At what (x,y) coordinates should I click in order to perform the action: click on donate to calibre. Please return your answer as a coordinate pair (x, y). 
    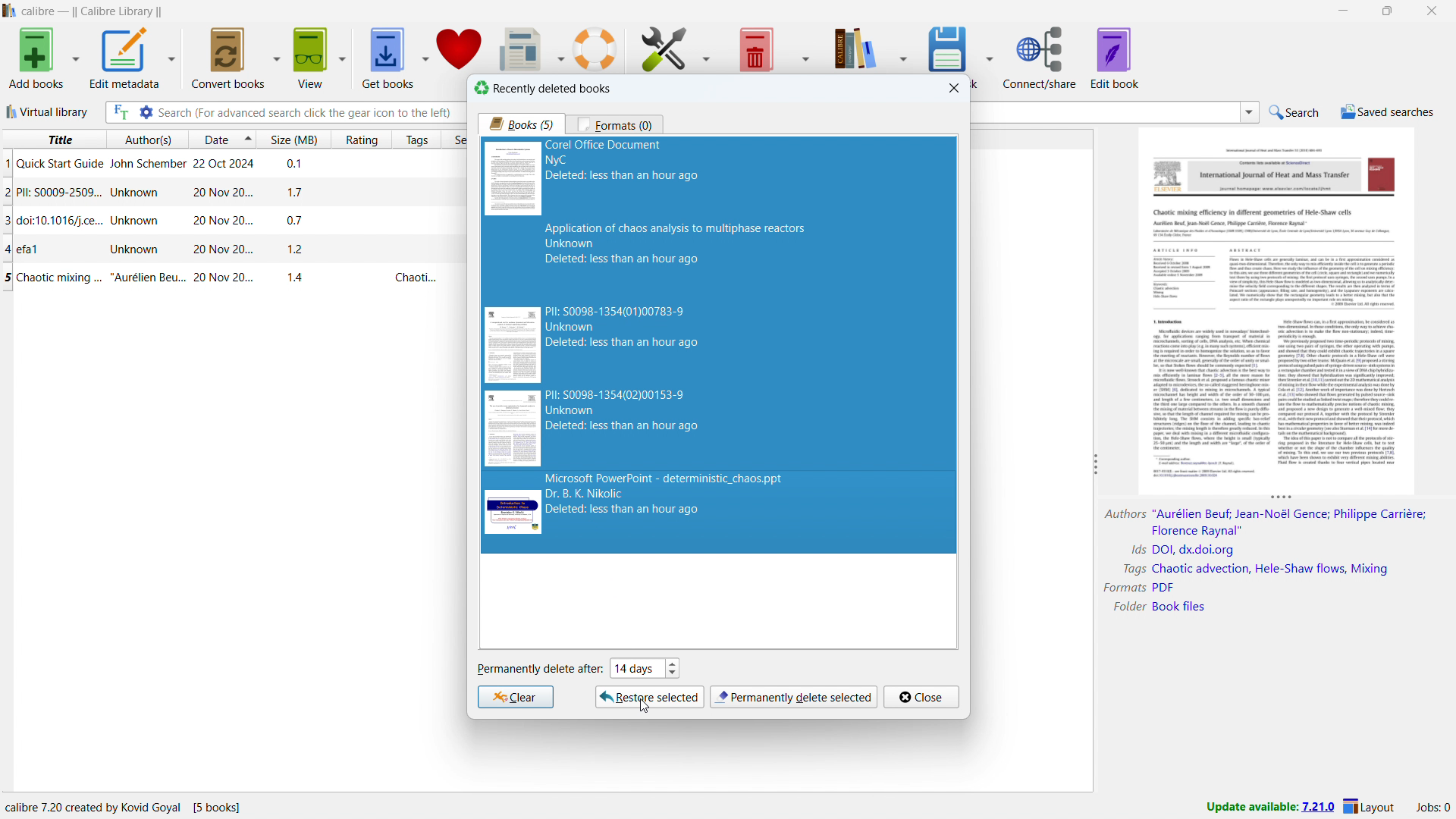
    Looking at the image, I should click on (460, 48).